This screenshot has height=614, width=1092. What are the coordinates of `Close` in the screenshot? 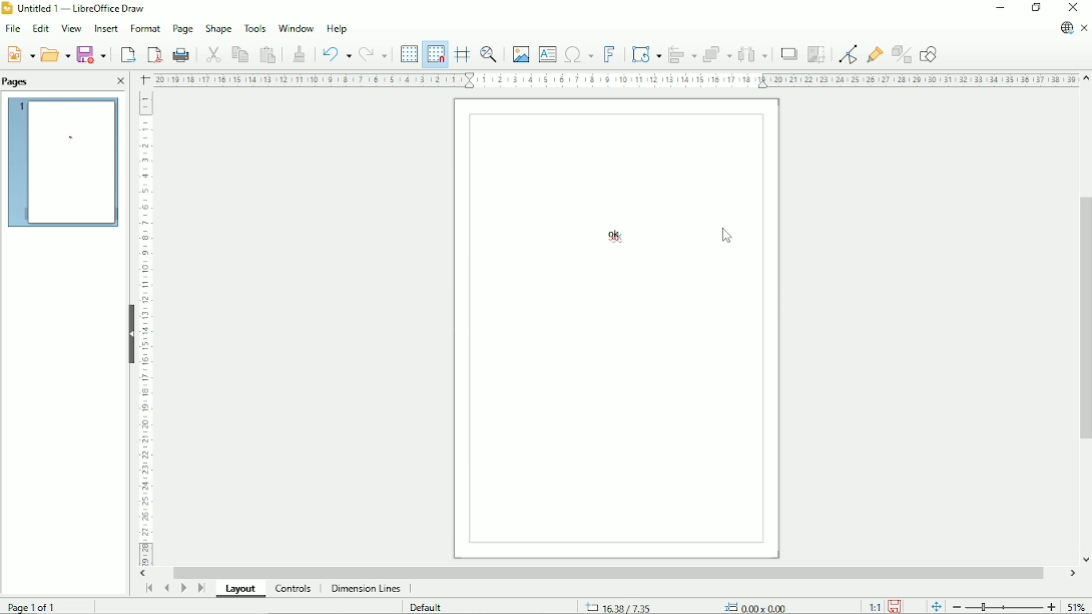 It's located at (120, 81).